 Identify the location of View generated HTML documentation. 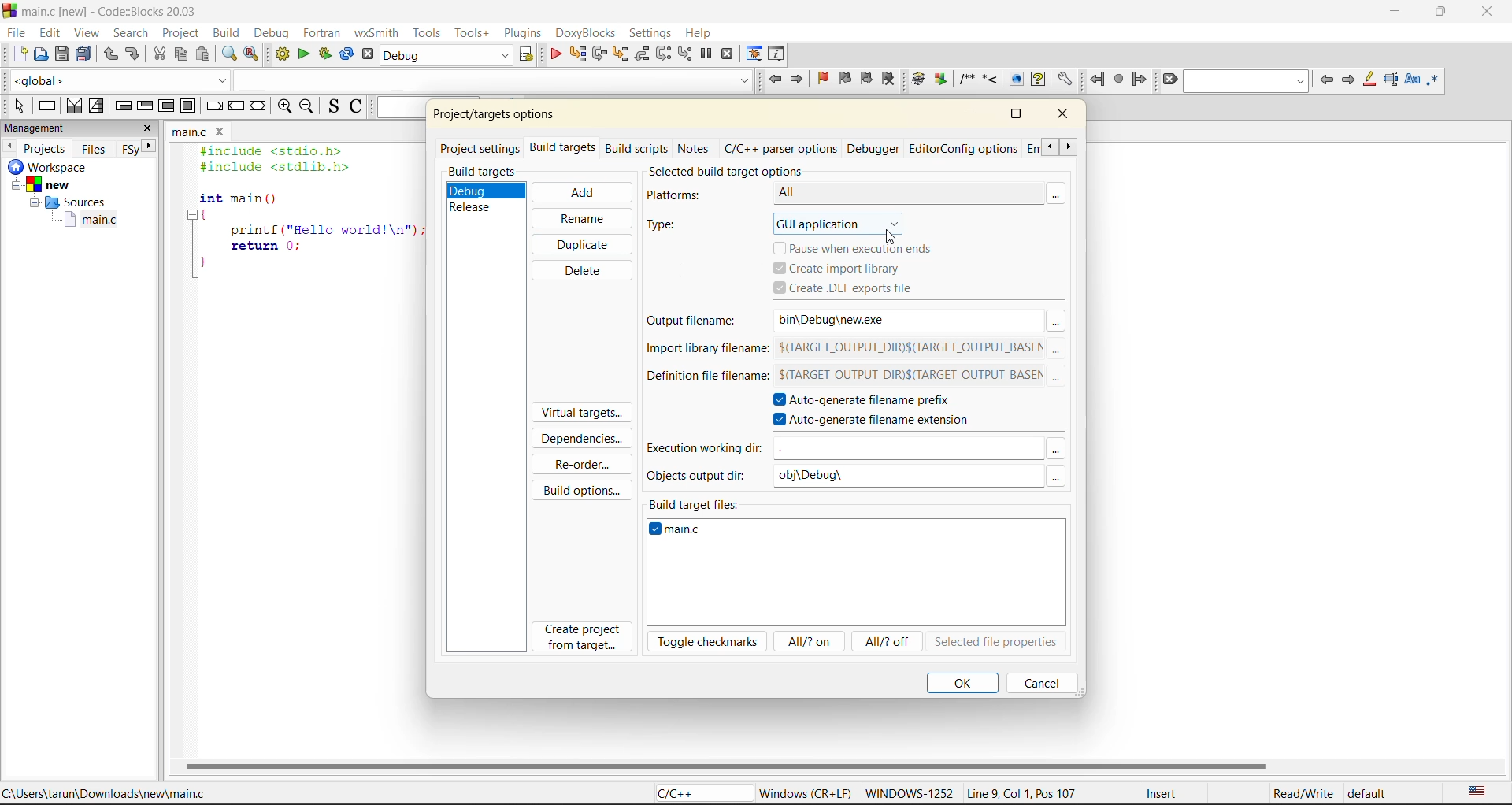
(1016, 79).